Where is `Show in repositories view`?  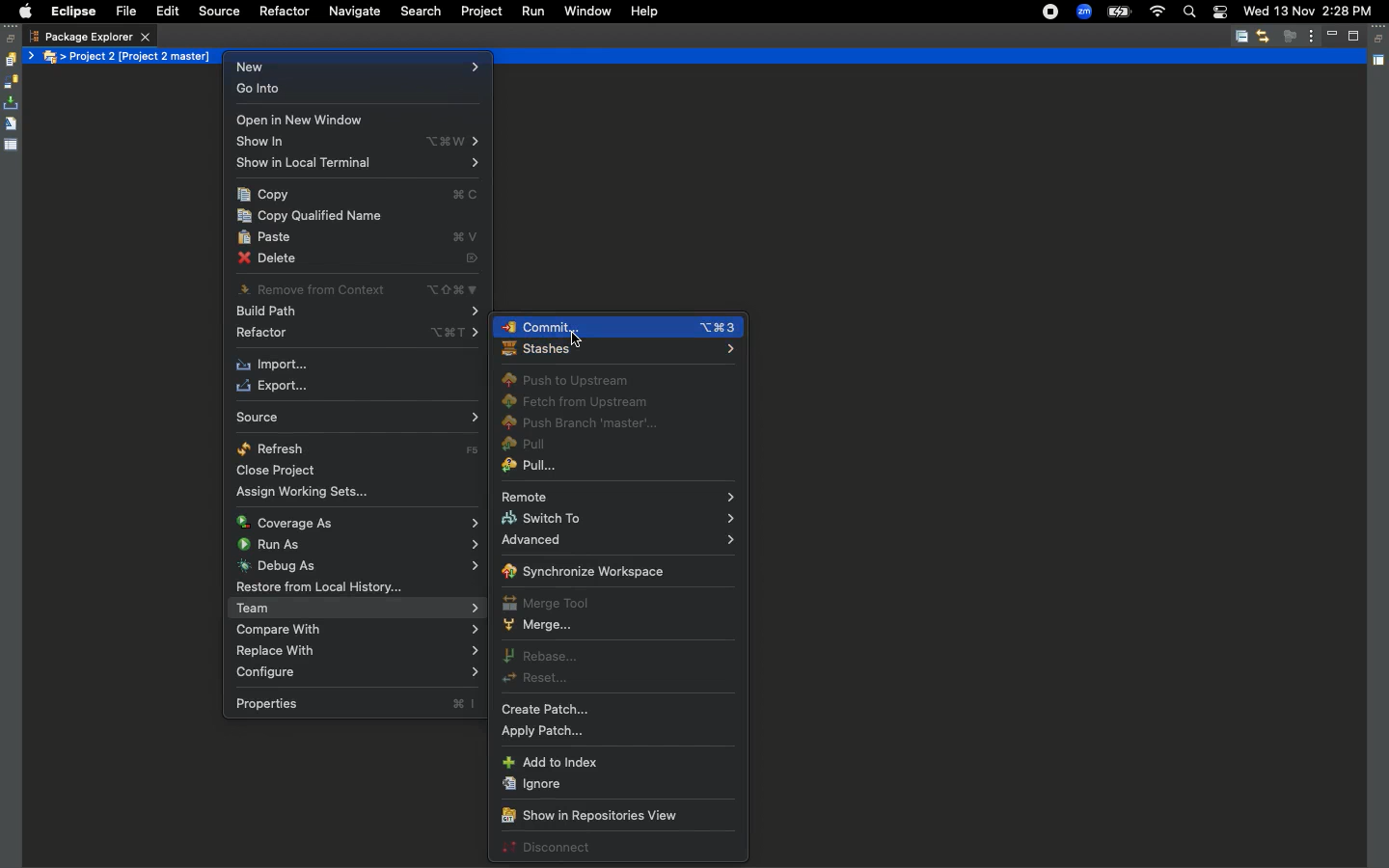
Show in repositories view is located at coordinates (587, 817).